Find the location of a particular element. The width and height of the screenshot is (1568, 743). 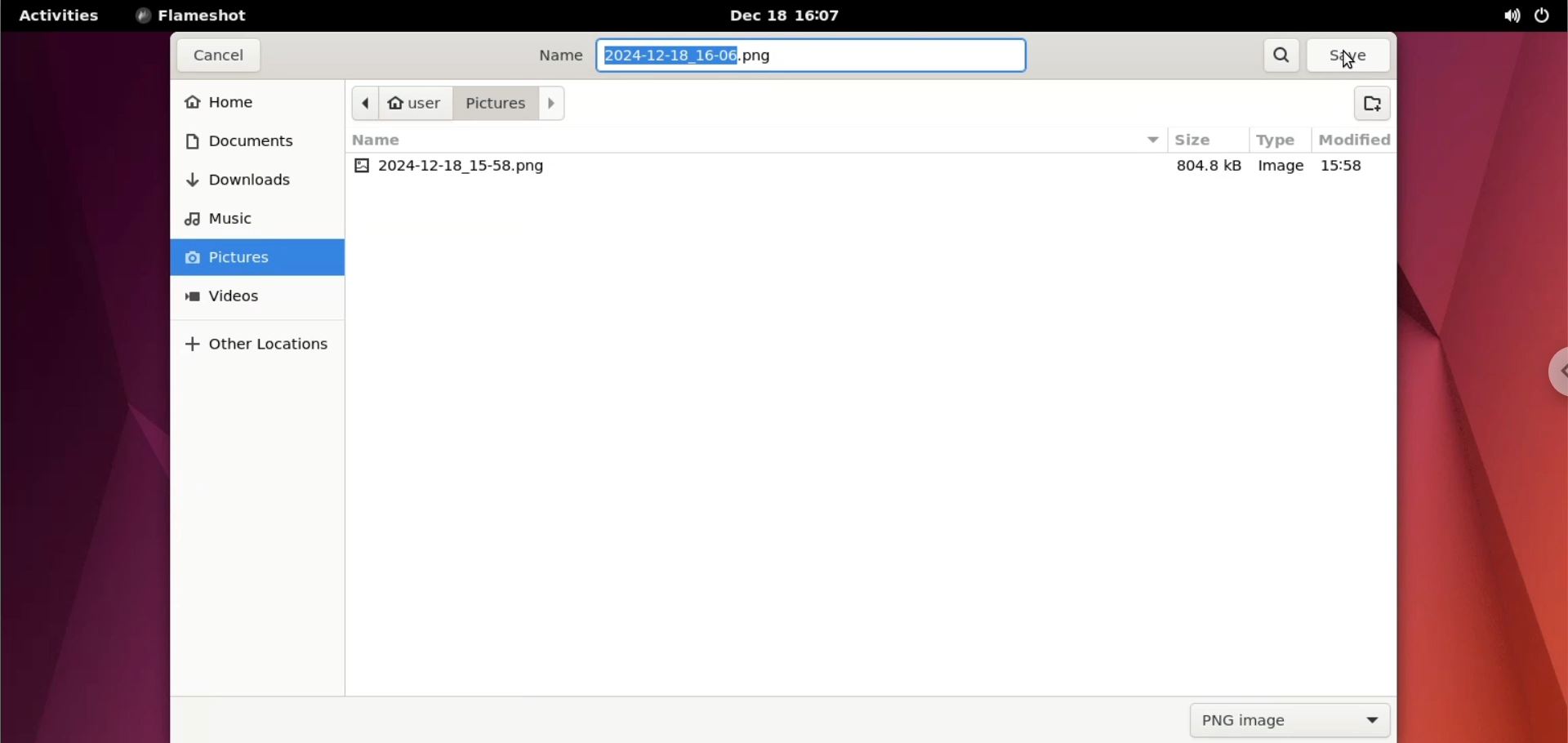

save  is located at coordinates (1352, 56).